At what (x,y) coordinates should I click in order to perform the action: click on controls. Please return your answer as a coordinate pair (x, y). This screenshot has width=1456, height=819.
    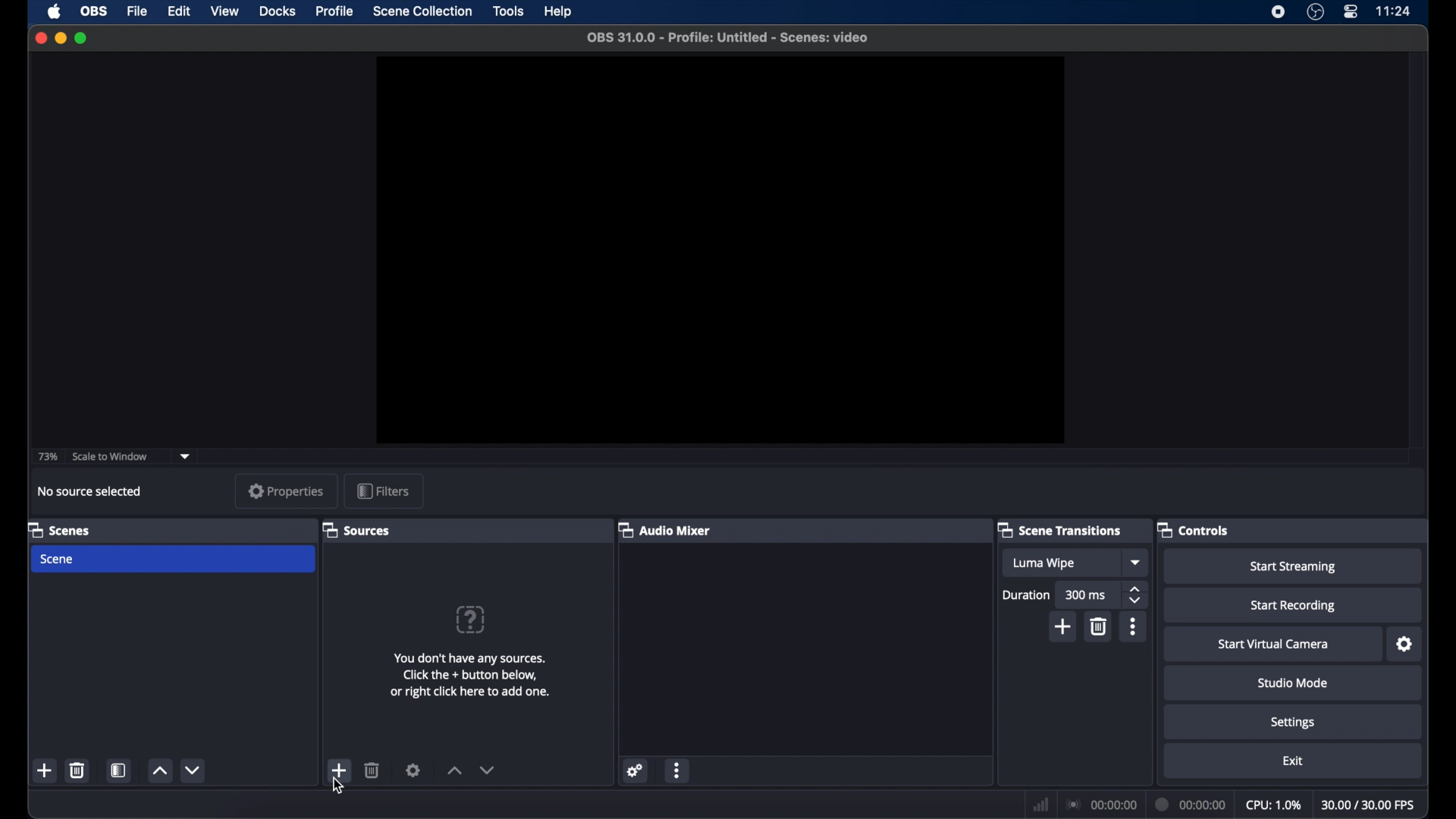
    Looking at the image, I should click on (1194, 531).